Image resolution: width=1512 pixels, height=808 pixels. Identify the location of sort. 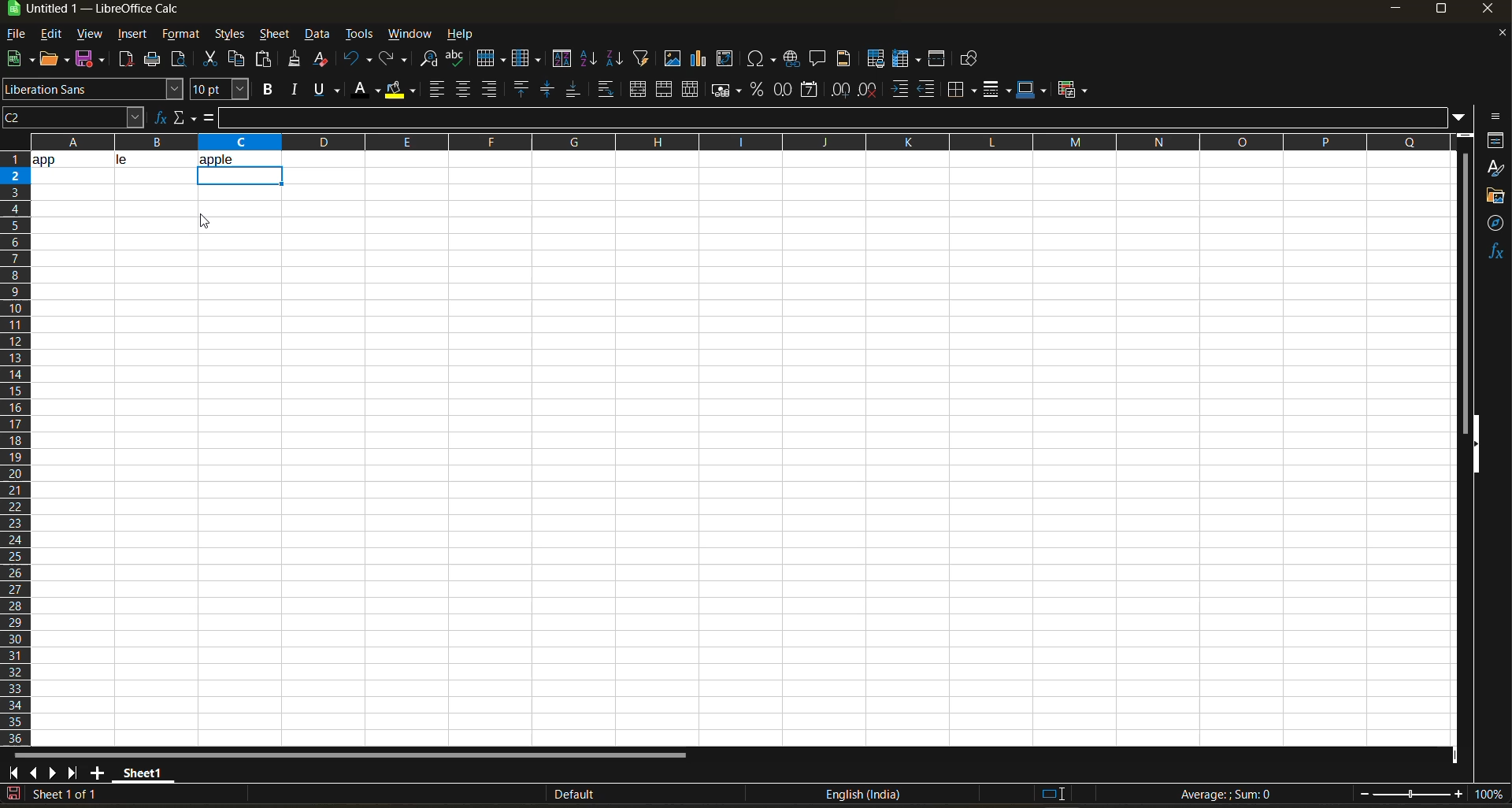
(565, 59).